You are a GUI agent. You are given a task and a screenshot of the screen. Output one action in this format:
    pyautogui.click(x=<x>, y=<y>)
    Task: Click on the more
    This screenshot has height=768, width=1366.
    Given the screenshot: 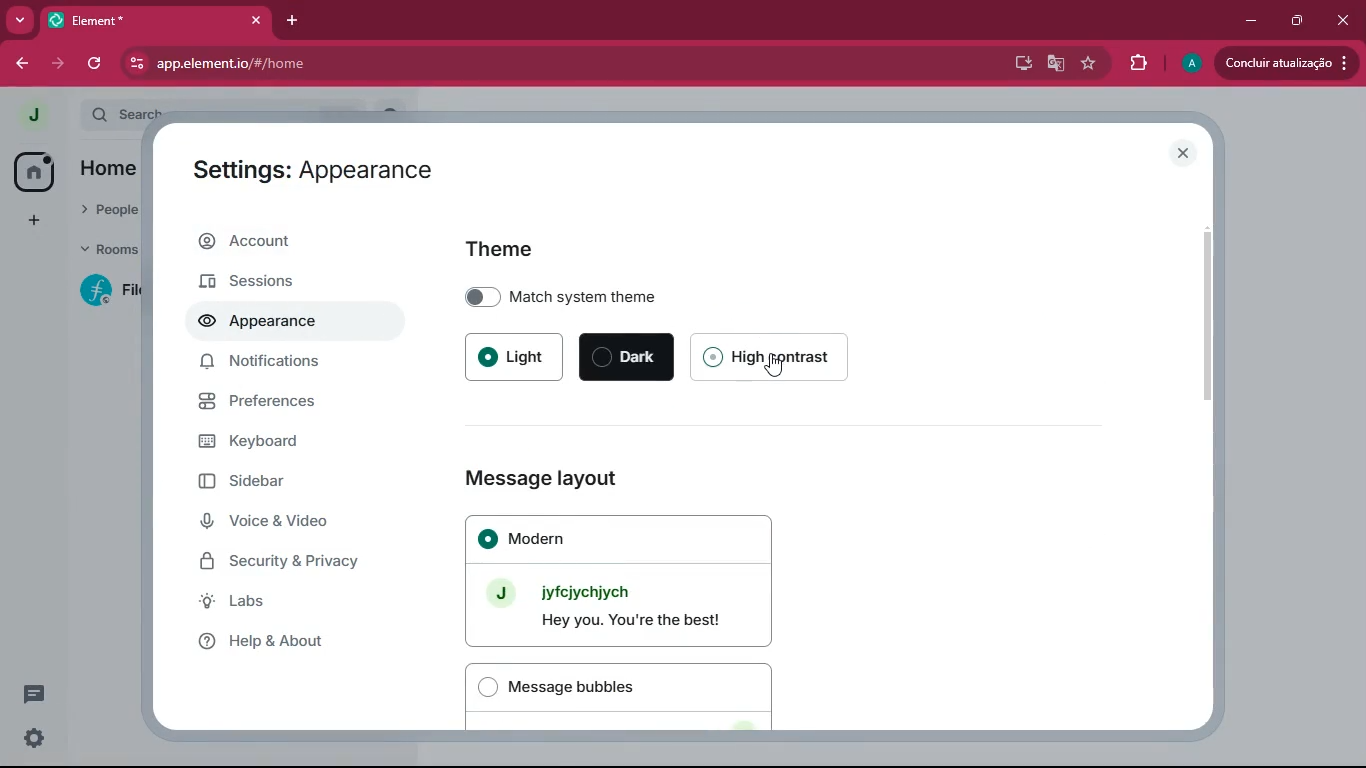 What is the action you would take?
    pyautogui.click(x=21, y=19)
    